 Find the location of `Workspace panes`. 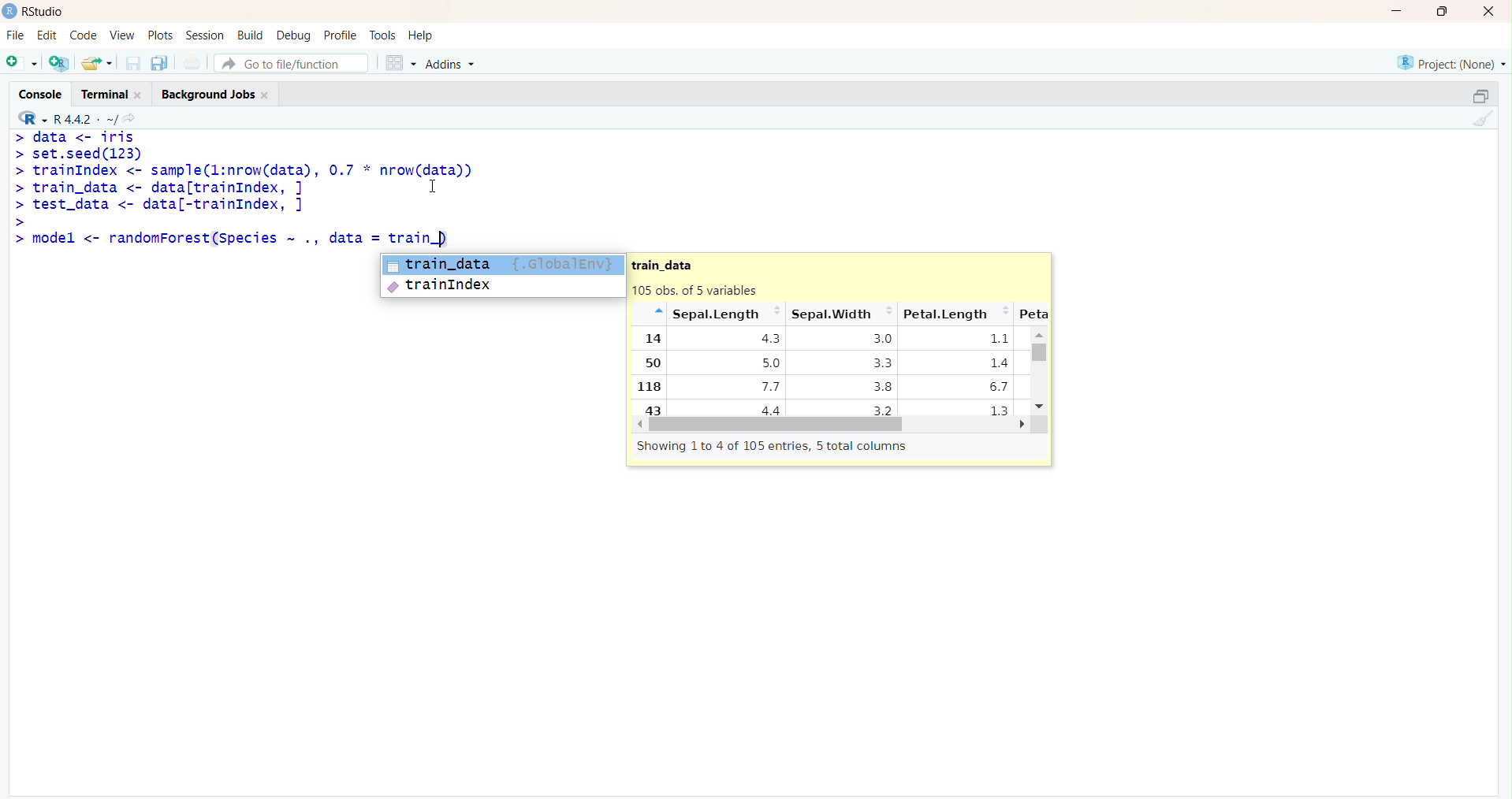

Workspace panes is located at coordinates (397, 61).